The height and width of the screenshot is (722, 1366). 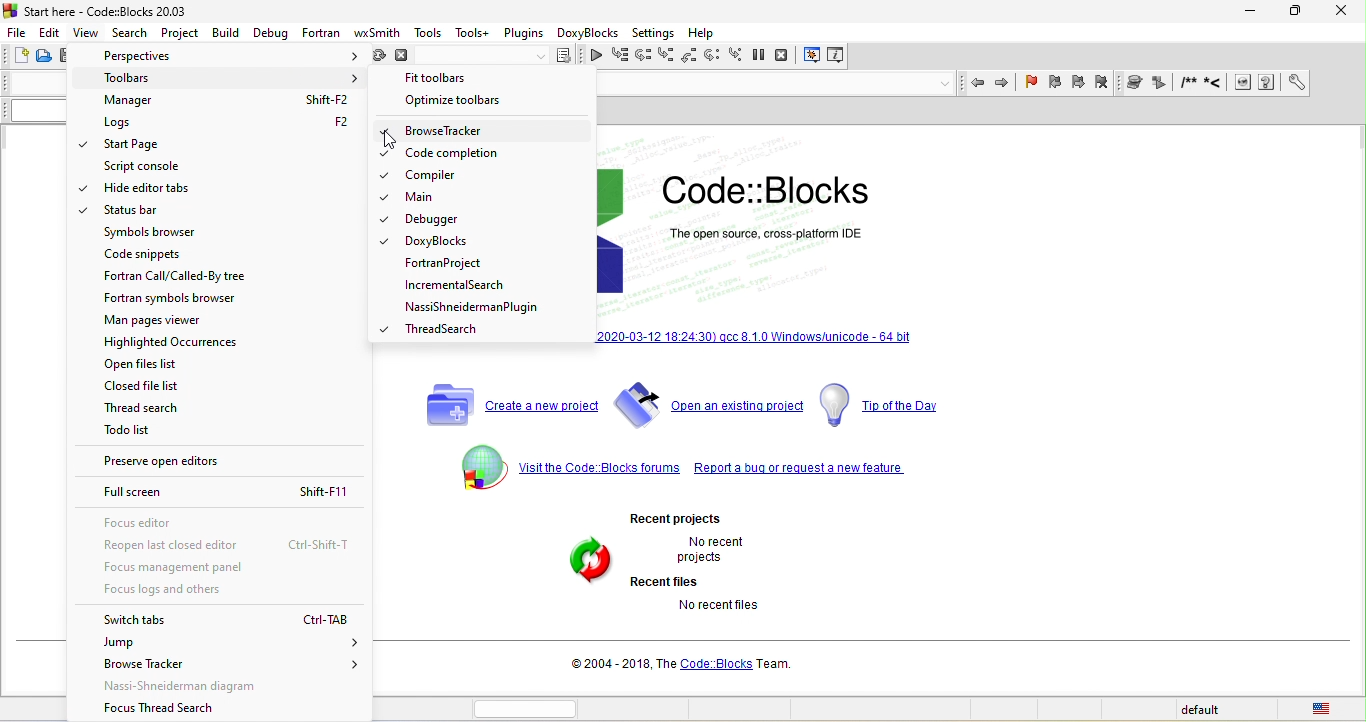 I want to click on stop debugger, so click(x=787, y=55).